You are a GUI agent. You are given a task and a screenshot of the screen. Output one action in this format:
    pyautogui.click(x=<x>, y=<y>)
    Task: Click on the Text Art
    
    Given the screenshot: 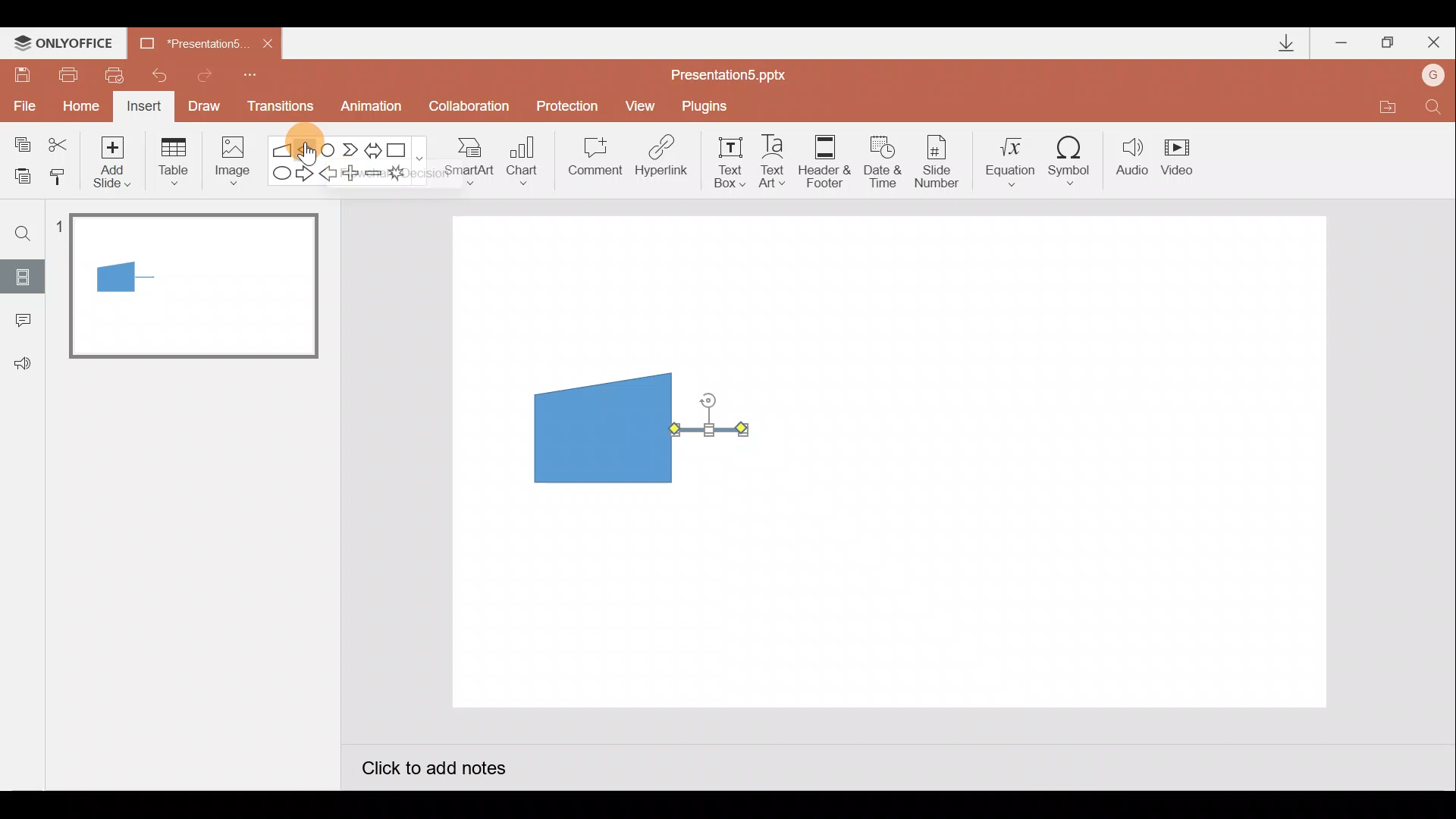 What is the action you would take?
    pyautogui.click(x=777, y=161)
    